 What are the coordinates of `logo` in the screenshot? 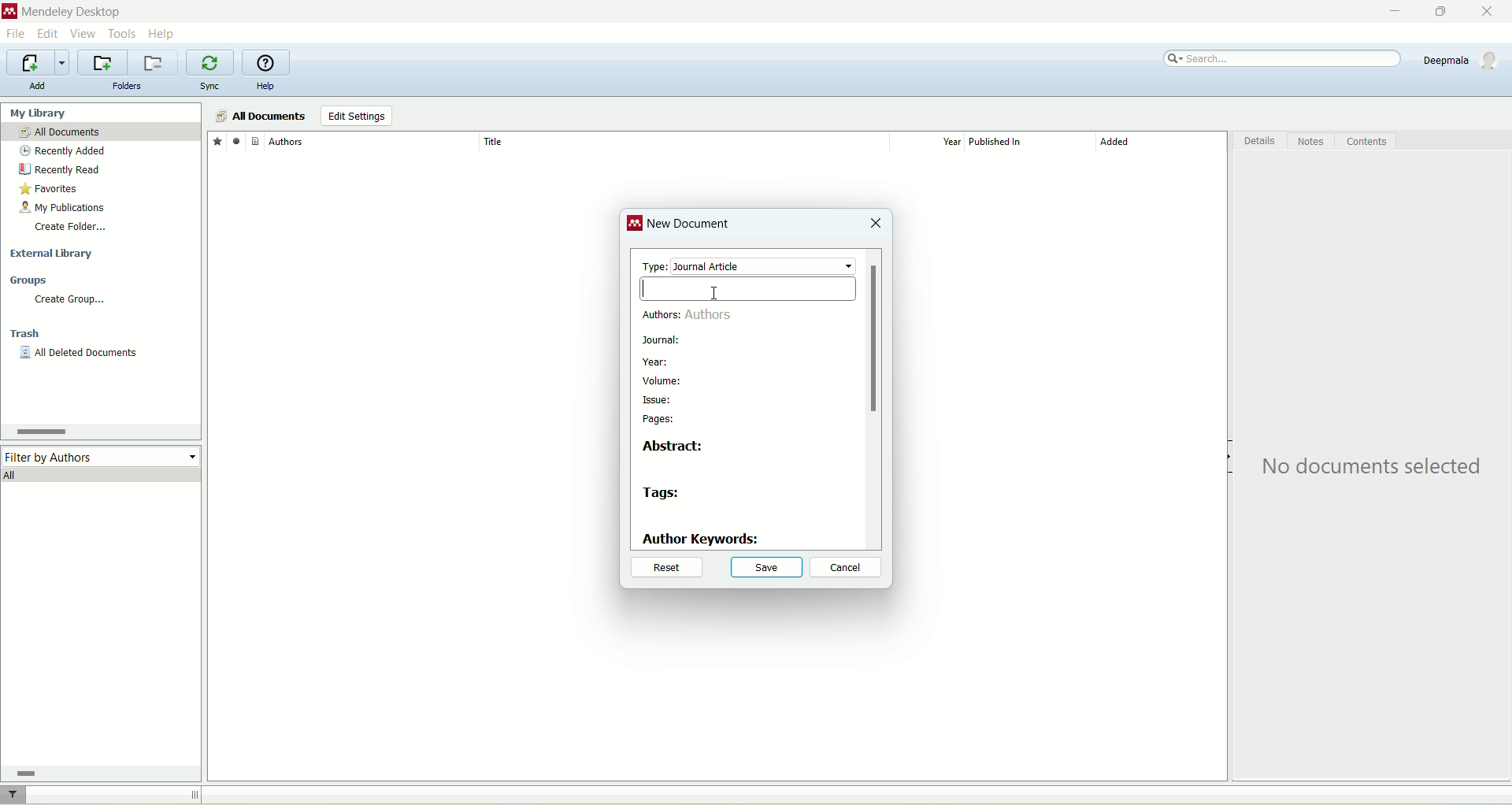 It's located at (636, 225).